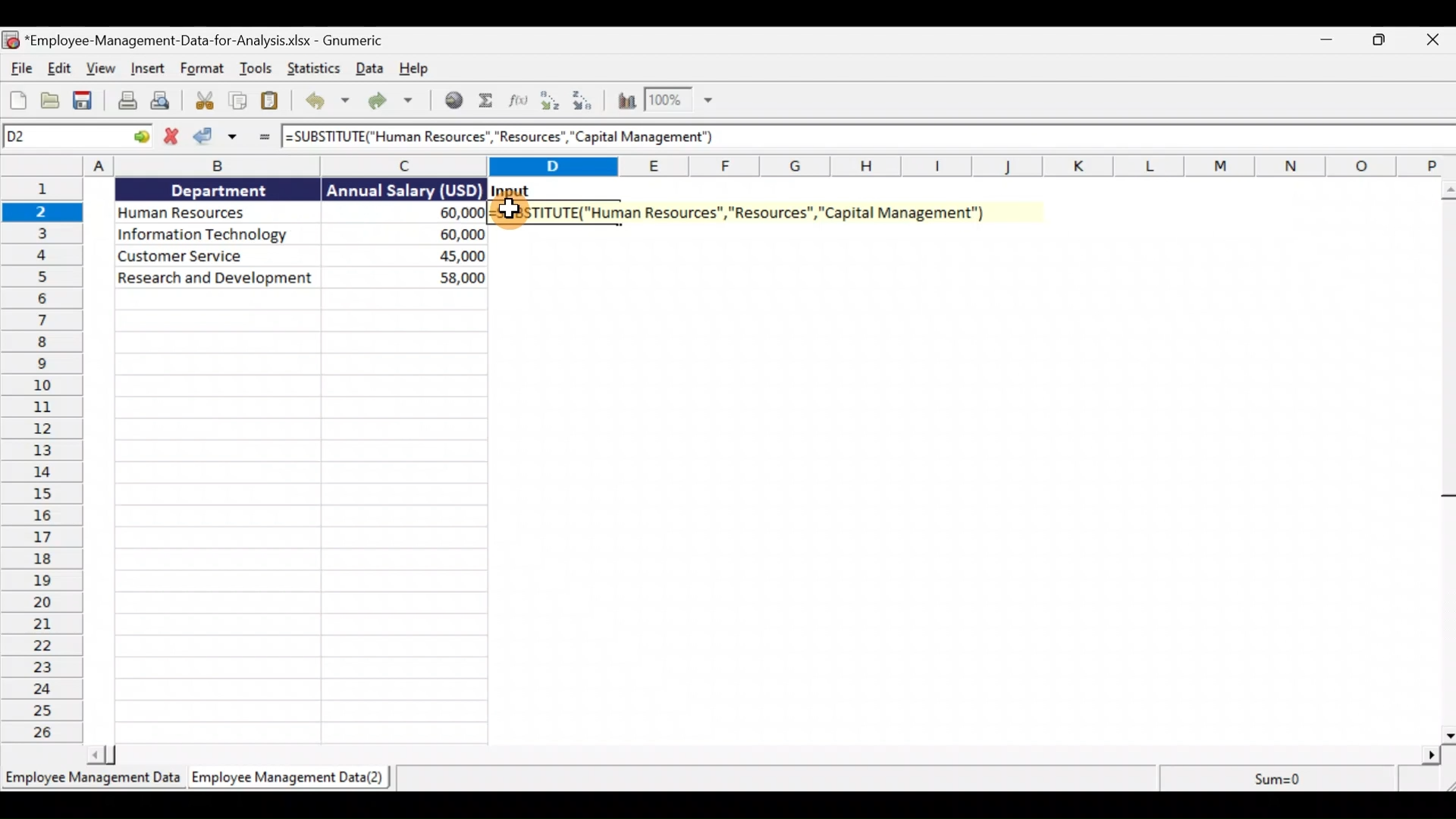 This screenshot has width=1456, height=819. Describe the element at coordinates (550, 99) in the screenshot. I see `Sort Ascending` at that location.